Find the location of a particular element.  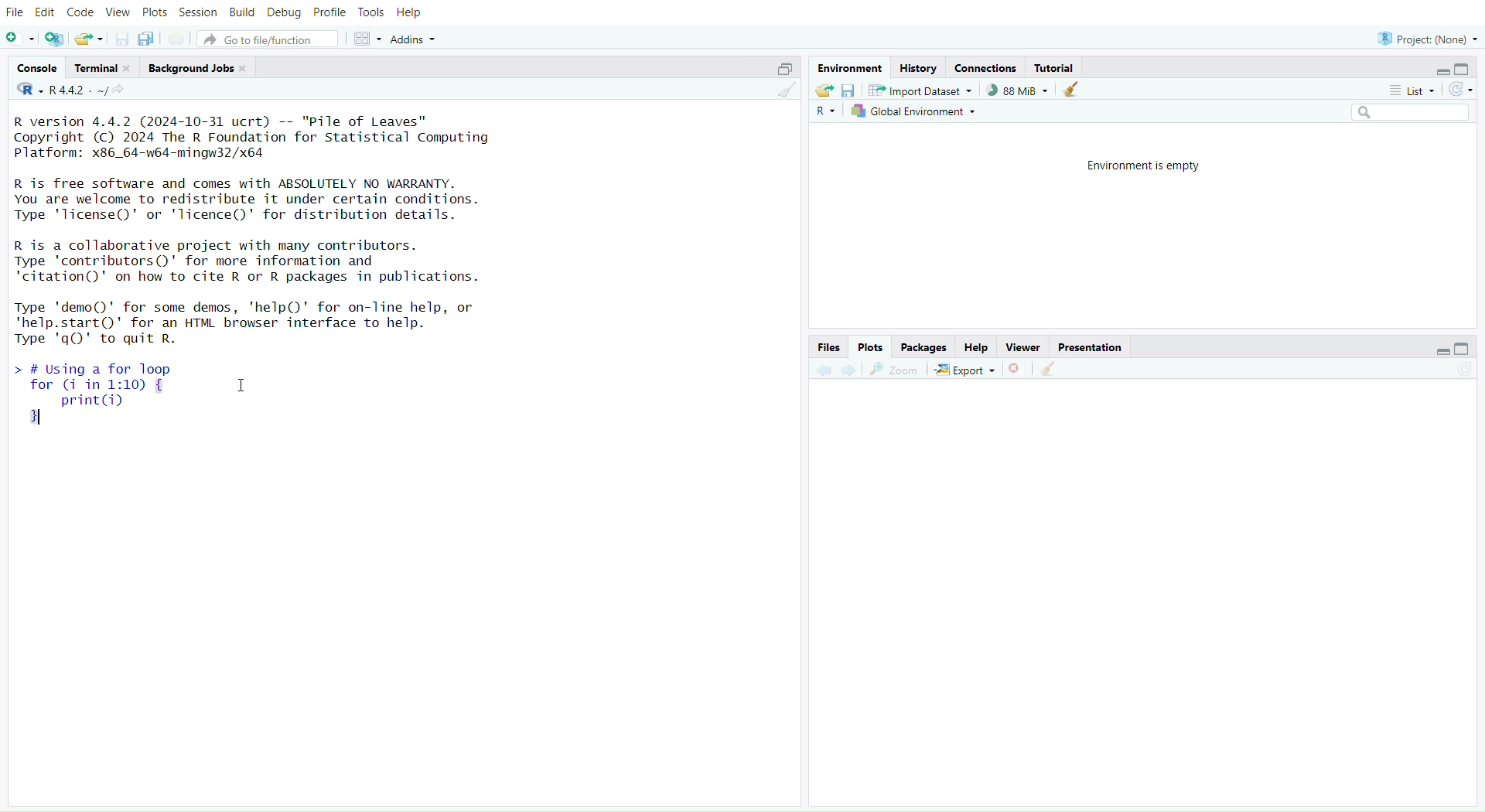

clear object is located at coordinates (1071, 91).